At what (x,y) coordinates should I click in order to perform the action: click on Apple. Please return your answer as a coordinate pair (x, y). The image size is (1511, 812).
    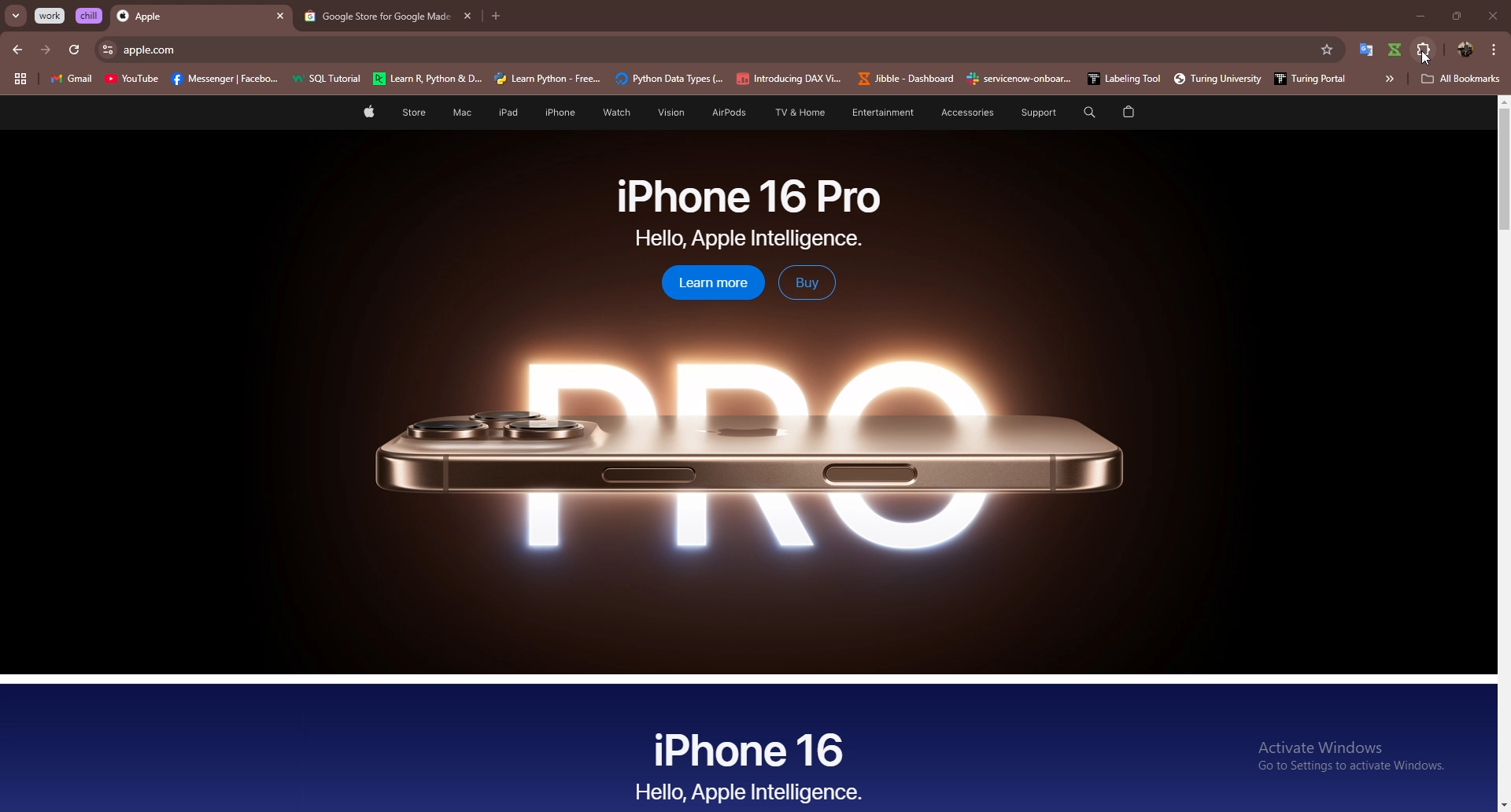
    Looking at the image, I should click on (187, 17).